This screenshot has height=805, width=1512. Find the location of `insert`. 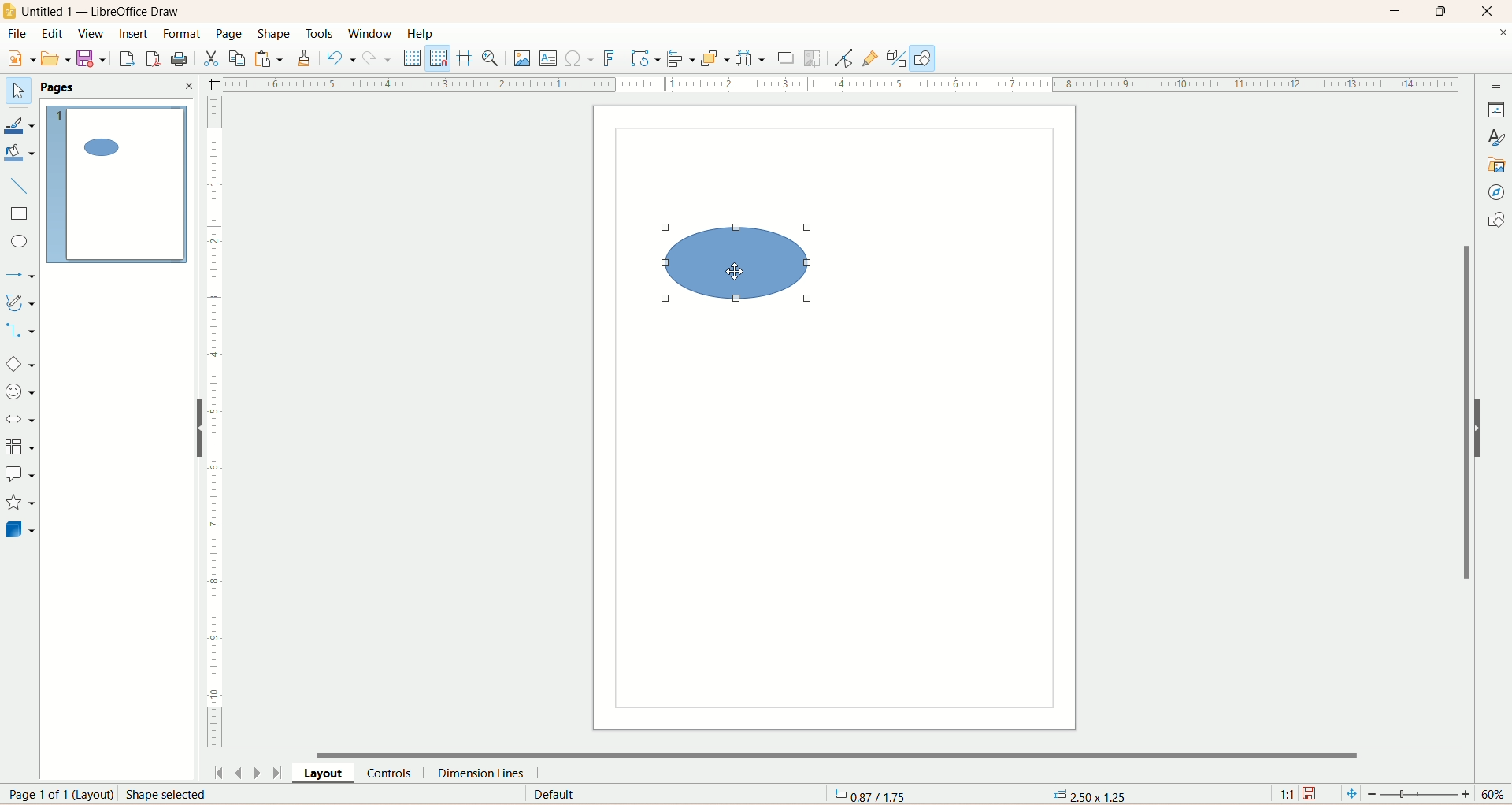

insert is located at coordinates (131, 34).